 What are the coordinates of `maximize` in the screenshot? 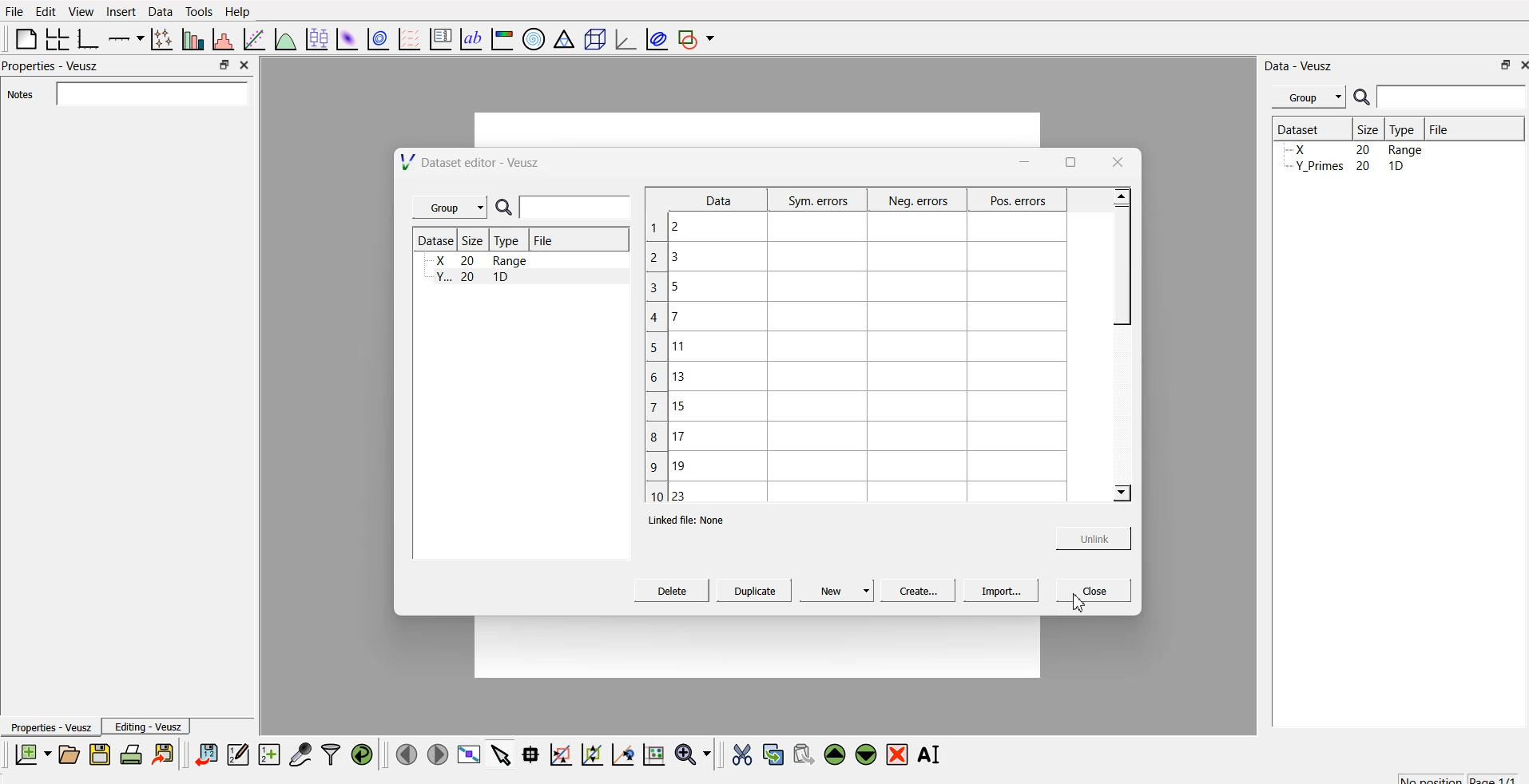 It's located at (220, 65).